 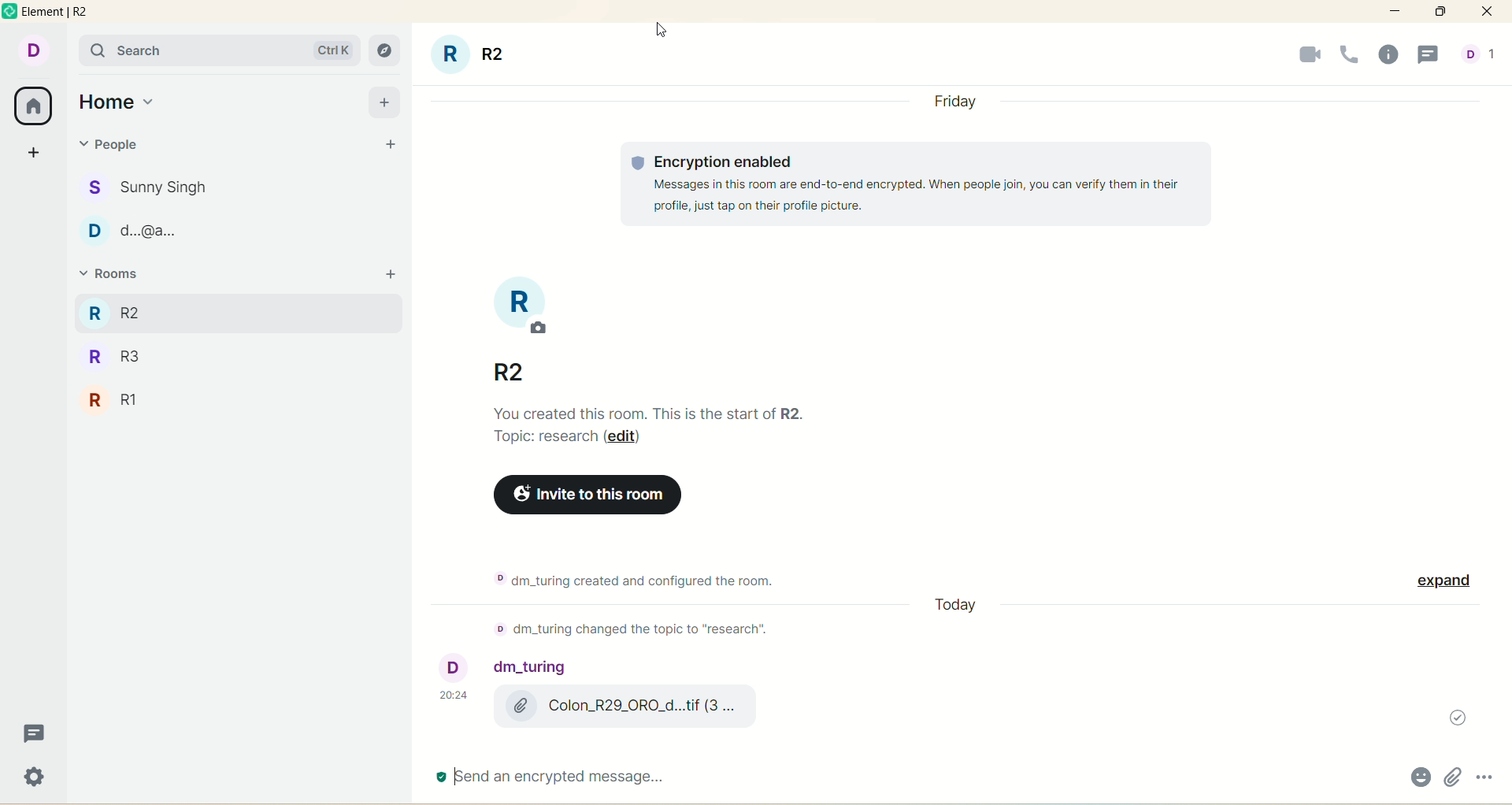 What do you see at coordinates (961, 98) in the screenshot?
I see `day` at bounding box center [961, 98].